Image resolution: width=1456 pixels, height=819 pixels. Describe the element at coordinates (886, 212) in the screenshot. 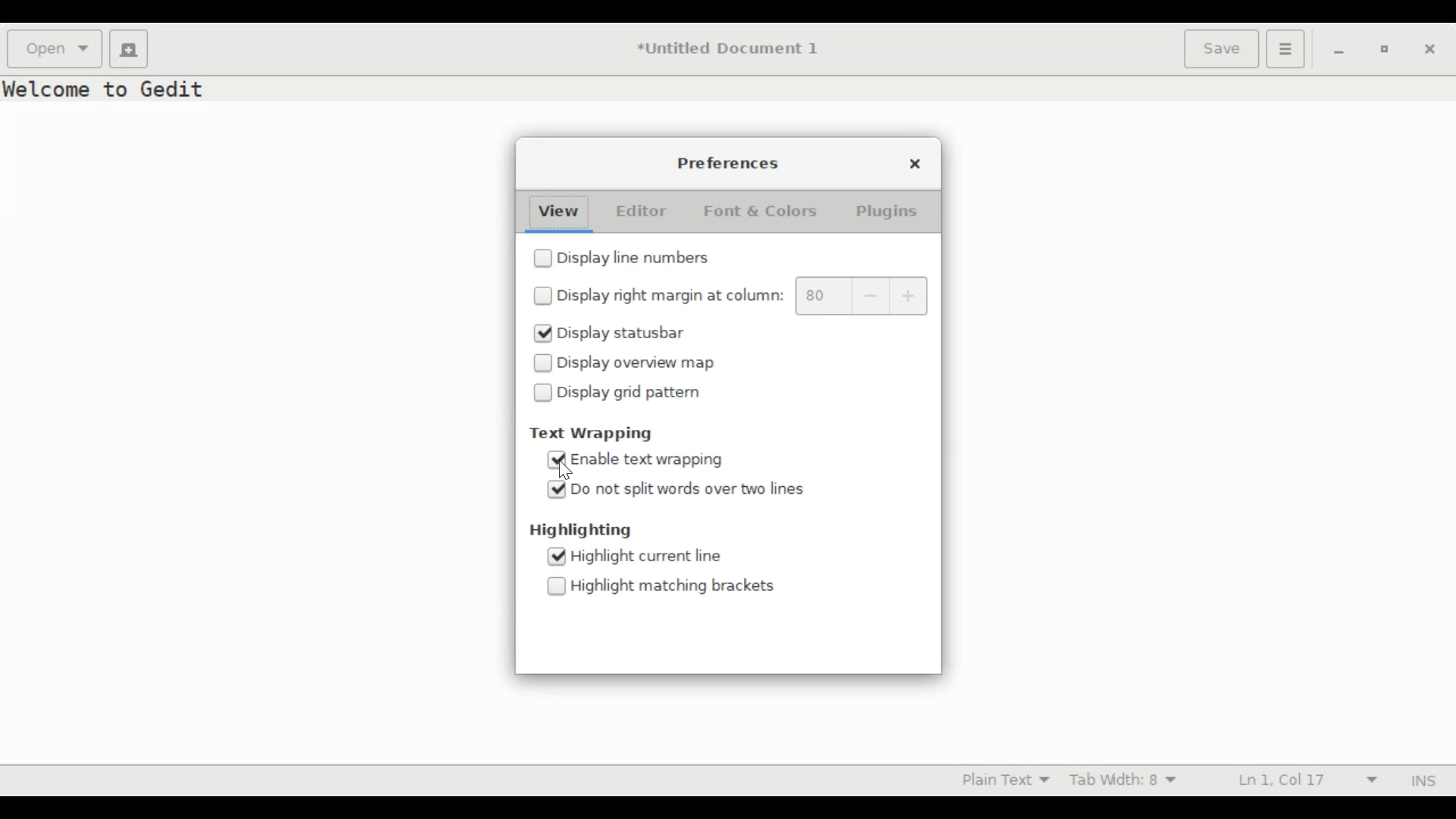

I see `Plugins` at that location.